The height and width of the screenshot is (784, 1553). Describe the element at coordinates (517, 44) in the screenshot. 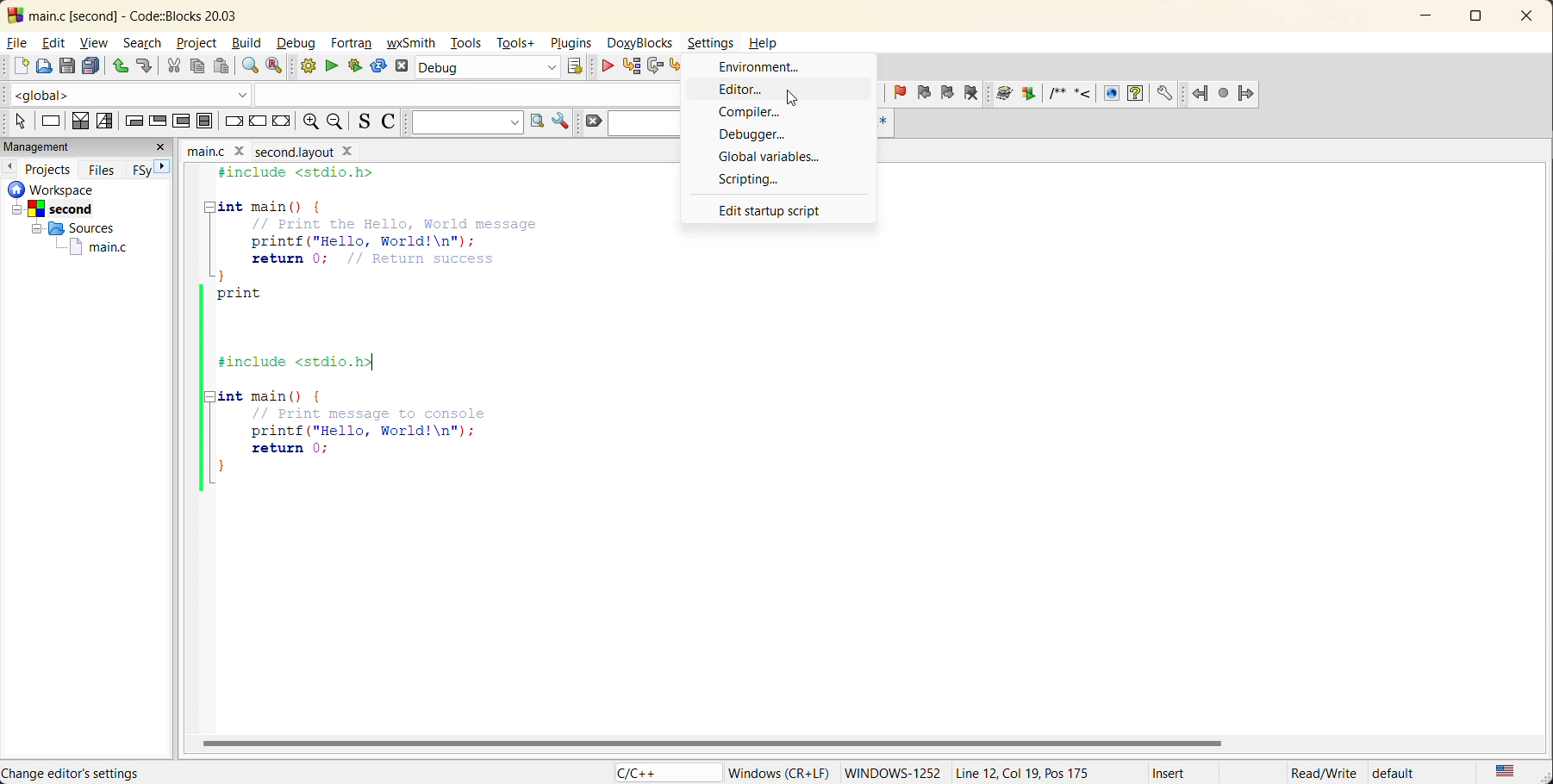

I see `tools+` at that location.